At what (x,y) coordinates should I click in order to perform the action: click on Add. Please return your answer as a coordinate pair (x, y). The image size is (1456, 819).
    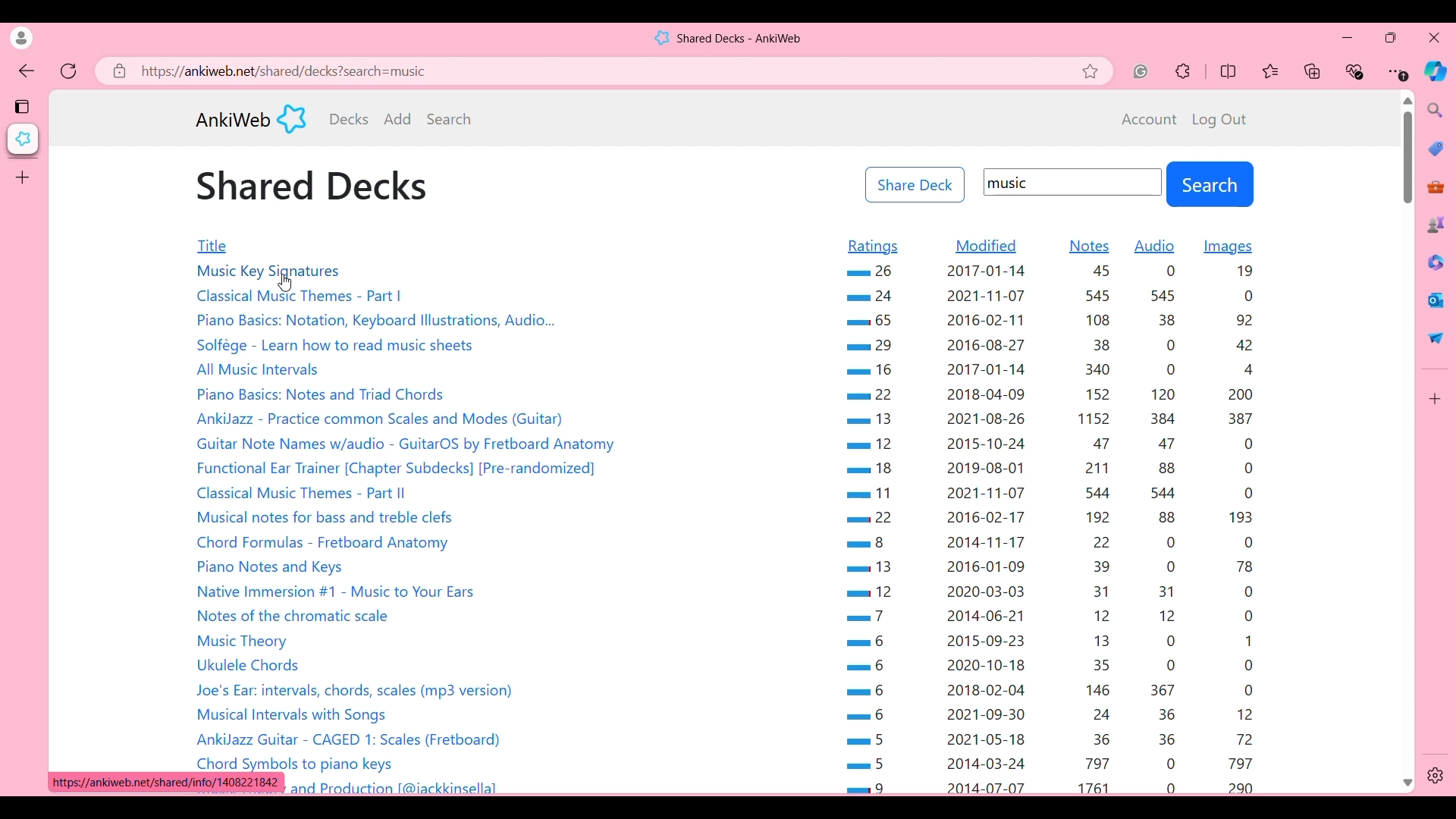
    Looking at the image, I should click on (398, 118).